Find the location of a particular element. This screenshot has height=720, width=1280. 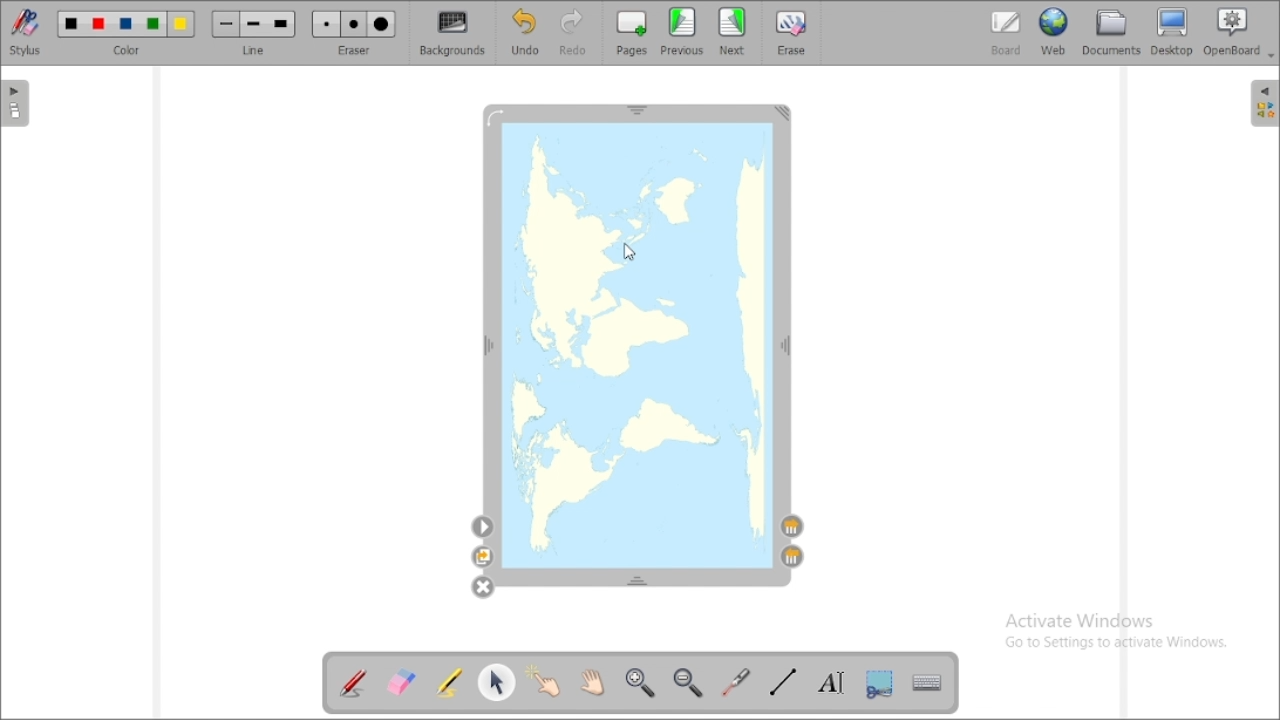

openboard is located at coordinates (1234, 32).